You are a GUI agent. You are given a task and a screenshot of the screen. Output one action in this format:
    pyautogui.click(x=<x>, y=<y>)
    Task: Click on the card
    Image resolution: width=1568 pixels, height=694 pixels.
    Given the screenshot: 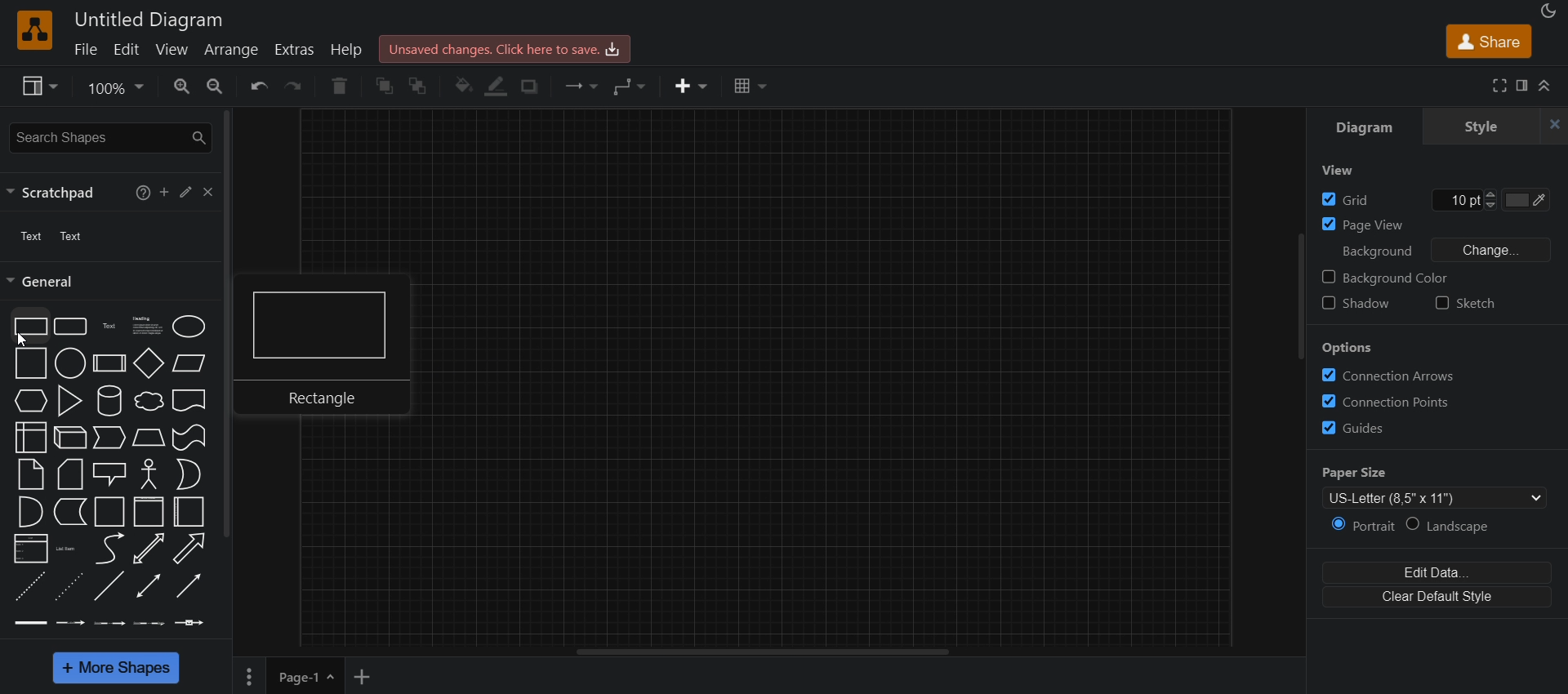 What is the action you would take?
    pyautogui.click(x=72, y=474)
    